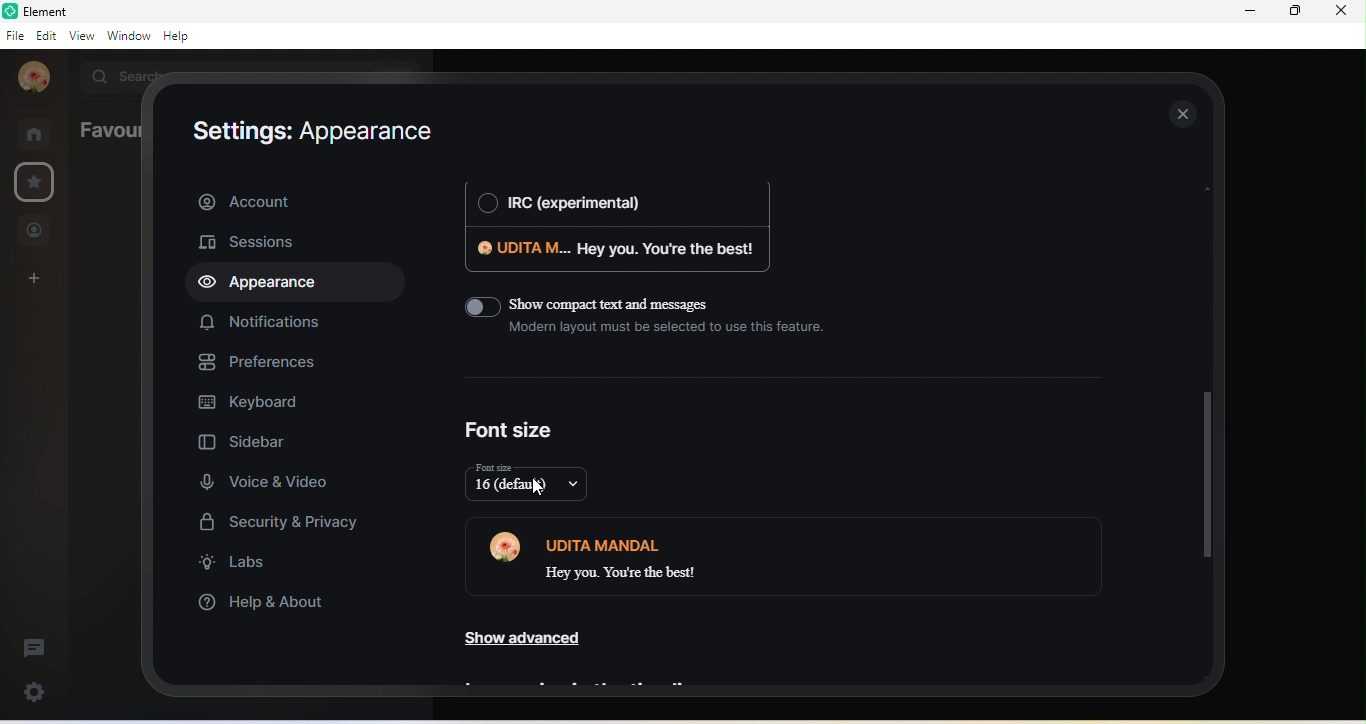 The height and width of the screenshot is (724, 1366). I want to click on window, so click(128, 35).